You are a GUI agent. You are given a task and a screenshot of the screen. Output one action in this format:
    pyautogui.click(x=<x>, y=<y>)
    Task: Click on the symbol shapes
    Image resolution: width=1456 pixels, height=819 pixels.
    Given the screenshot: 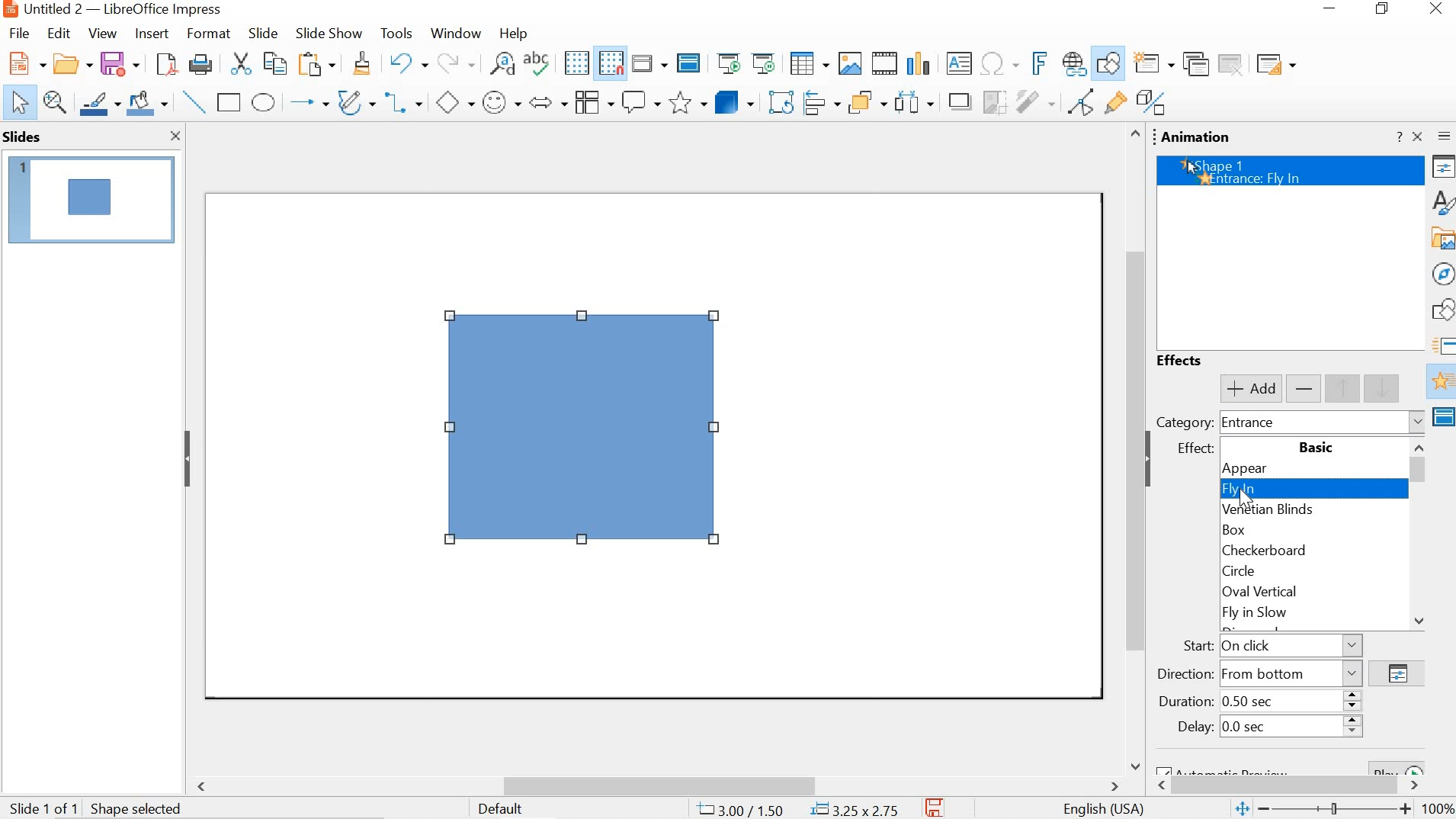 What is the action you would take?
    pyautogui.click(x=502, y=104)
    